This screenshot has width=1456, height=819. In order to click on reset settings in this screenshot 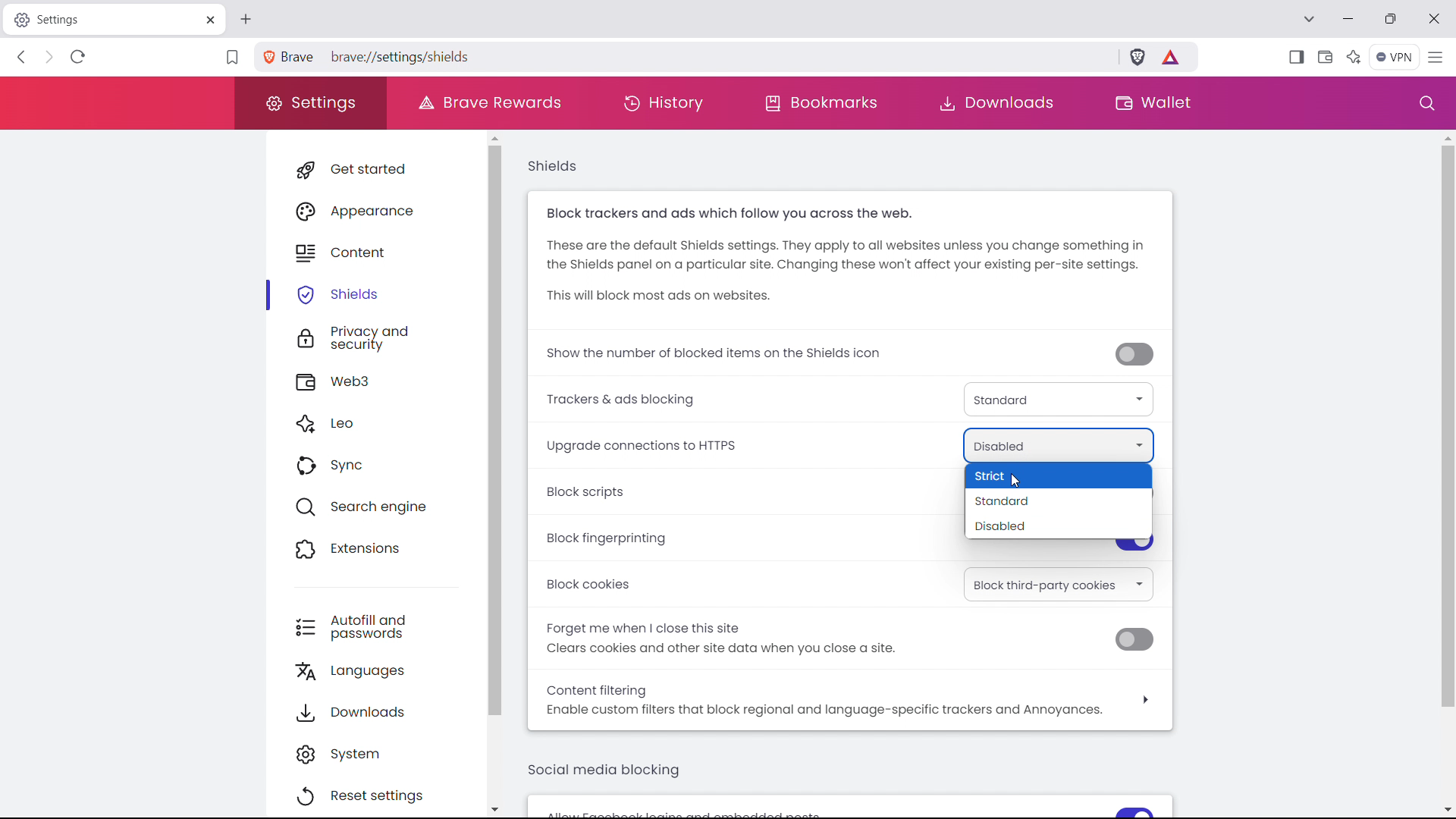, I will do `click(379, 796)`.